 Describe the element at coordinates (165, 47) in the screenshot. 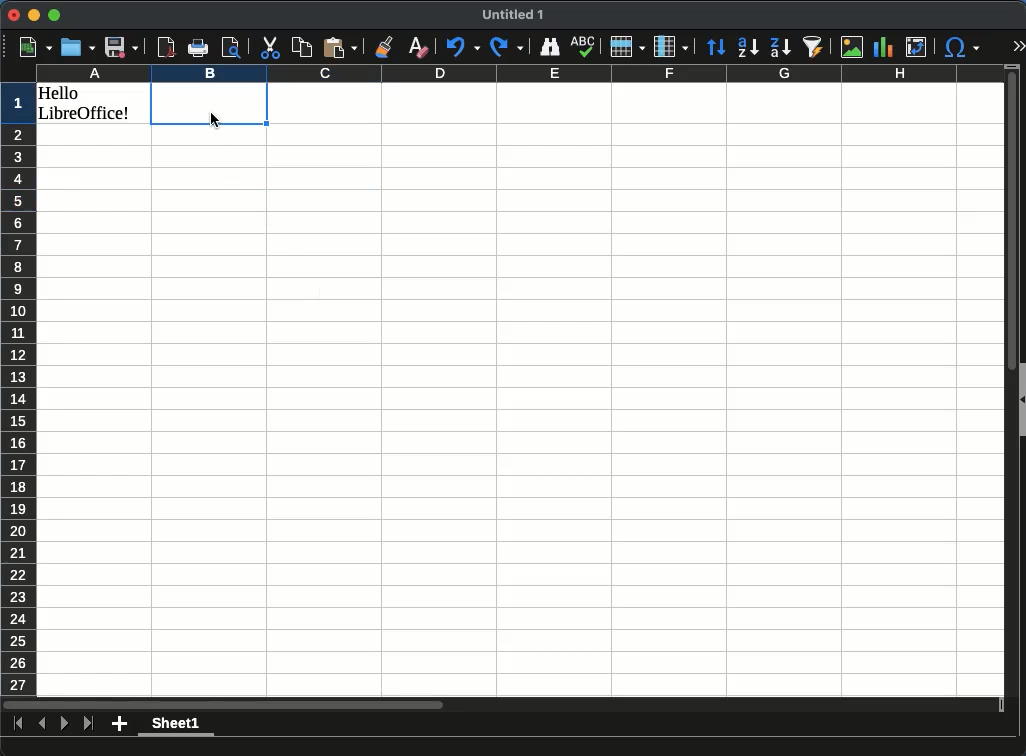

I see `pdf` at that location.